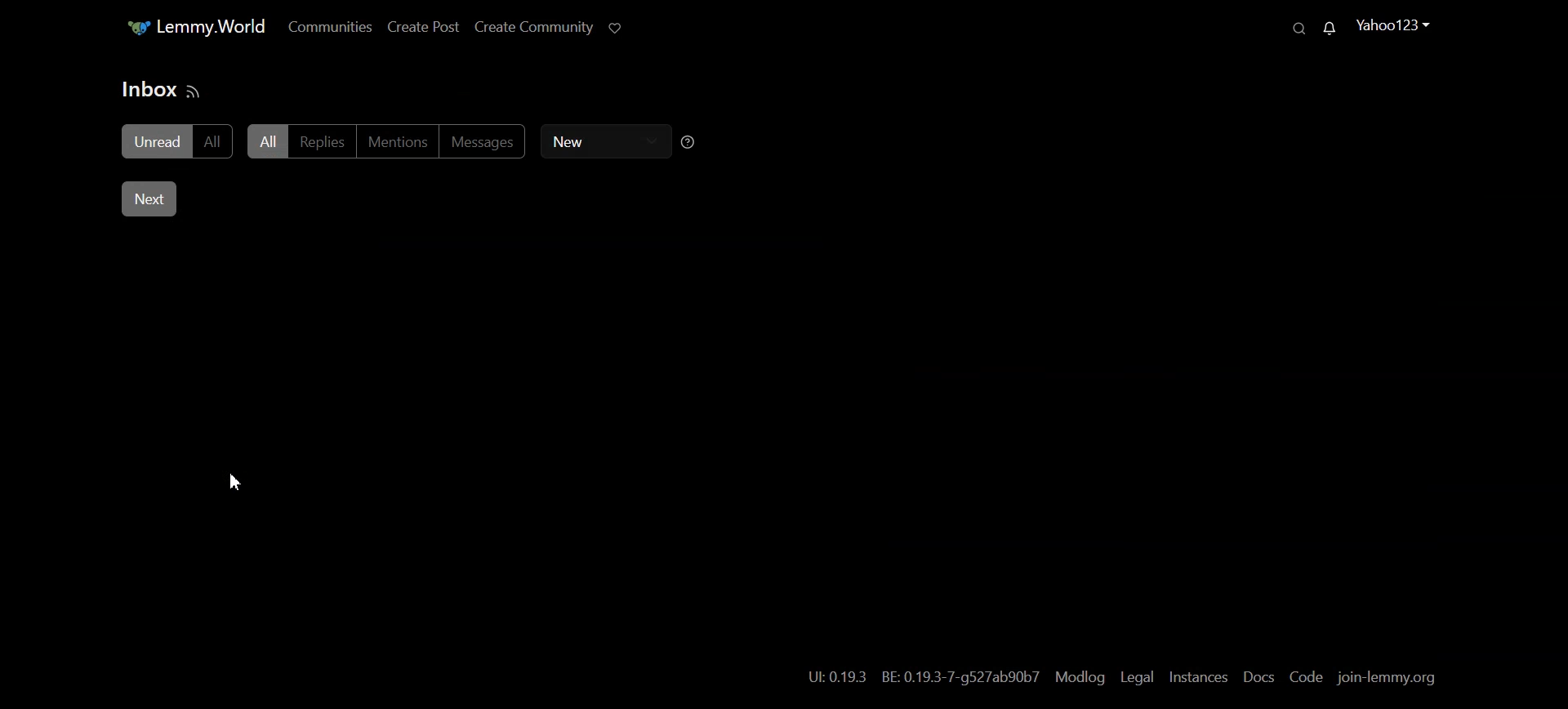 Image resolution: width=1568 pixels, height=709 pixels. Describe the element at coordinates (614, 27) in the screenshot. I see `Support Limmy` at that location.